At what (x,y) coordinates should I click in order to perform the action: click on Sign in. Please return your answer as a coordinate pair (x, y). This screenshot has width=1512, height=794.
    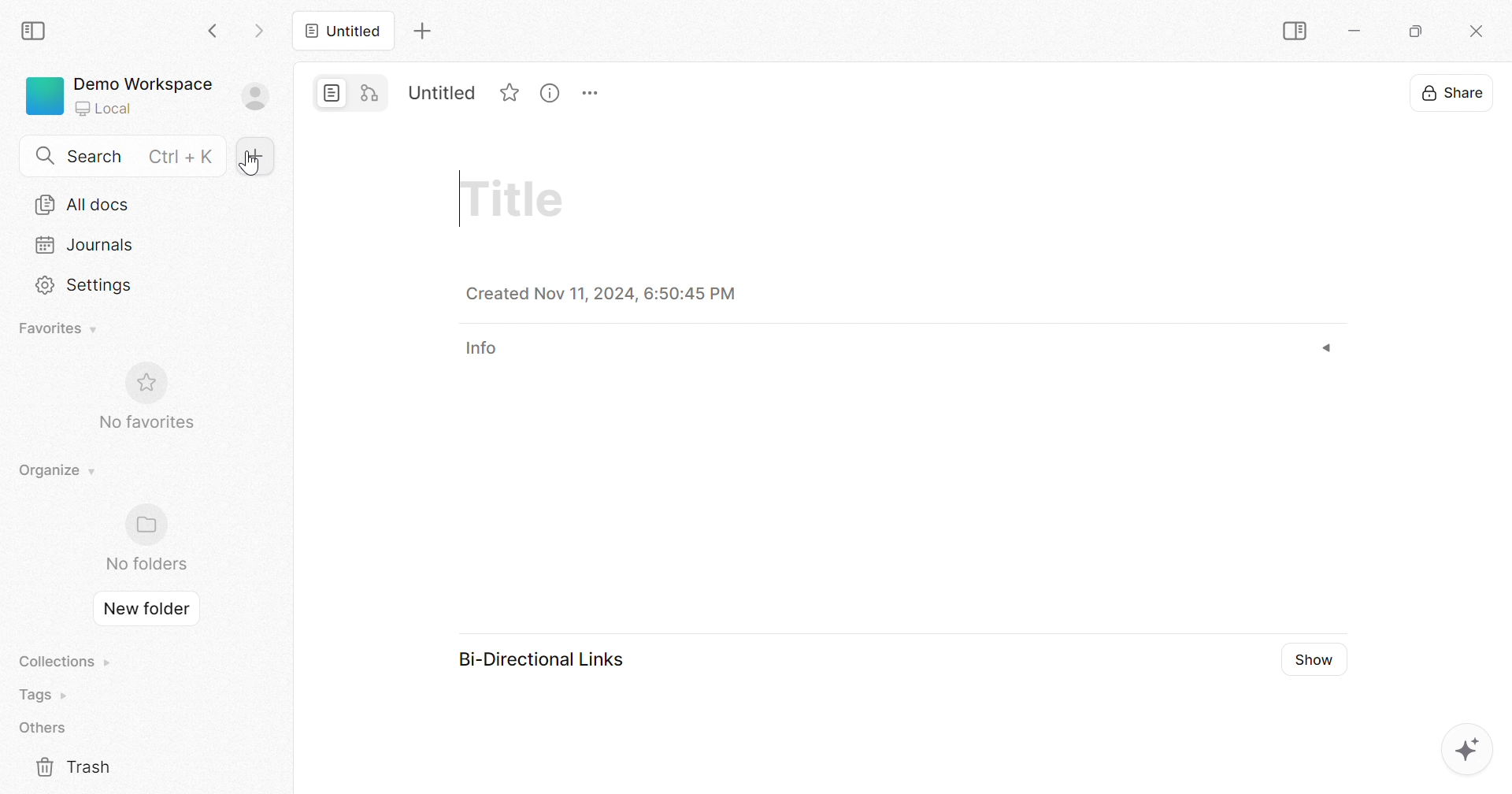
    Looking at the image, I should click on (255, 97).